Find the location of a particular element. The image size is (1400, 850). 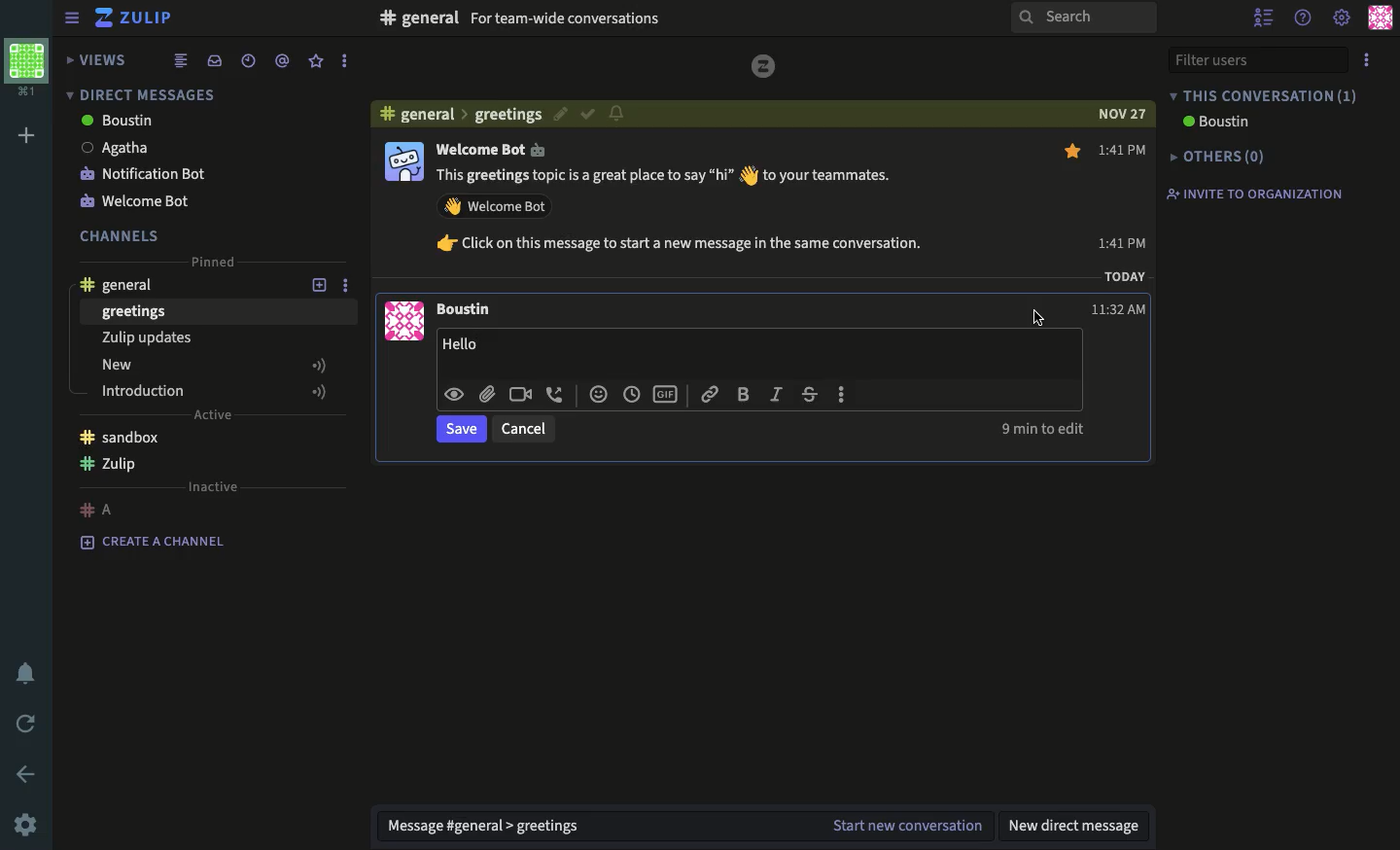

search is located at coordinates (1082, 17).